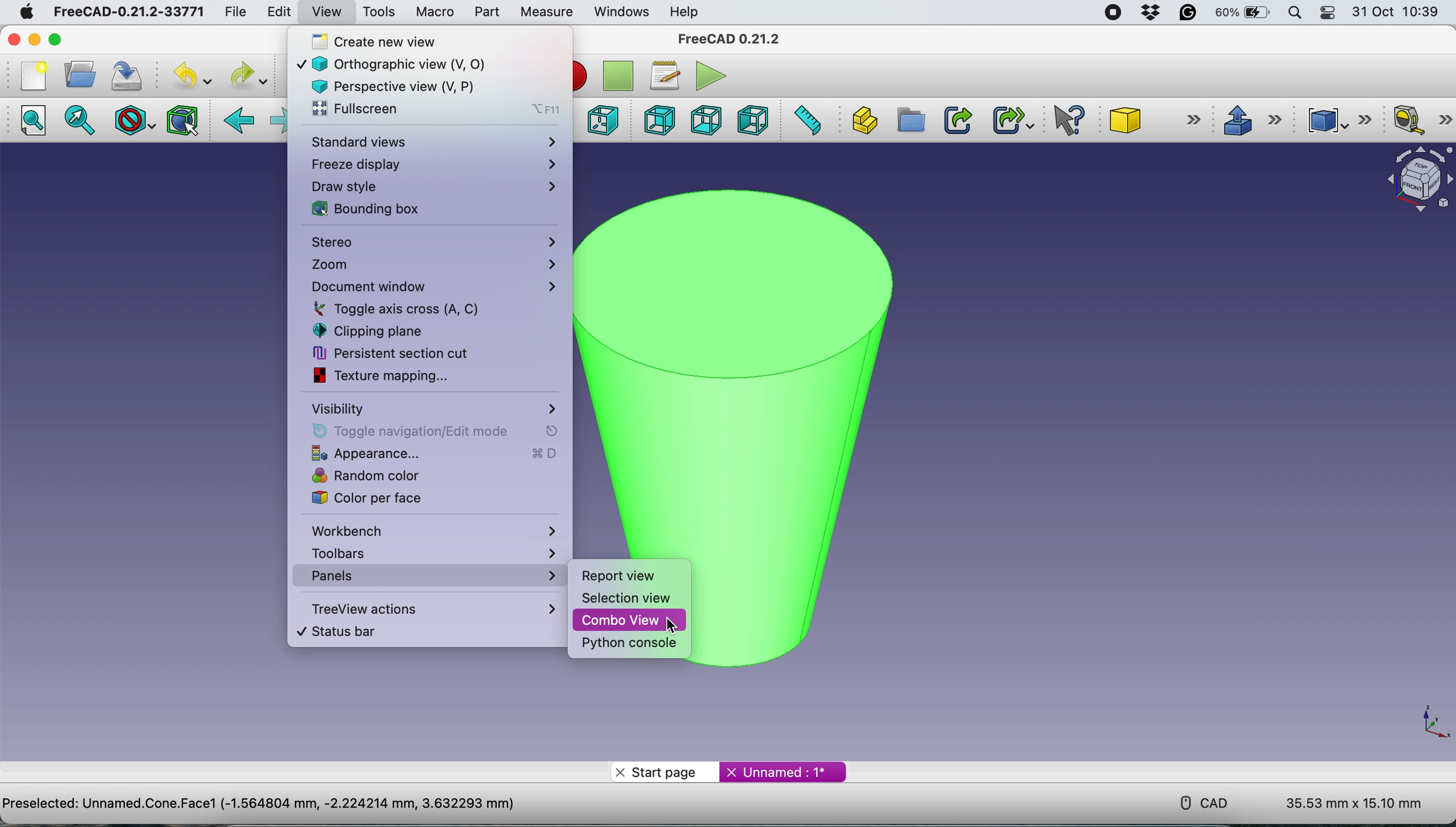  Describe the element at coordinates (434, 244) in the screenshot. I see `stereo` at that location.